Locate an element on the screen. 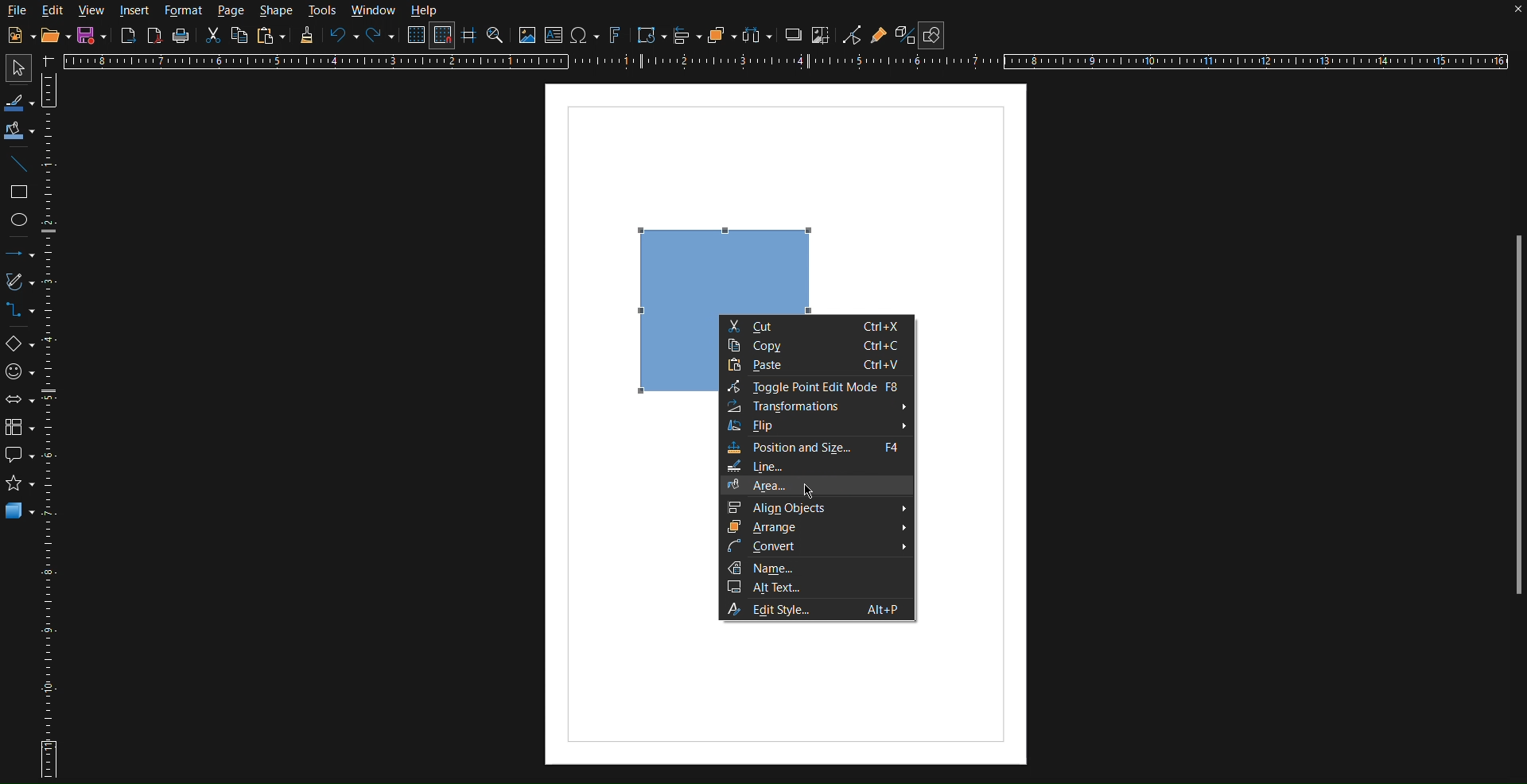  Insert Image is located at coordinates (527, 37).